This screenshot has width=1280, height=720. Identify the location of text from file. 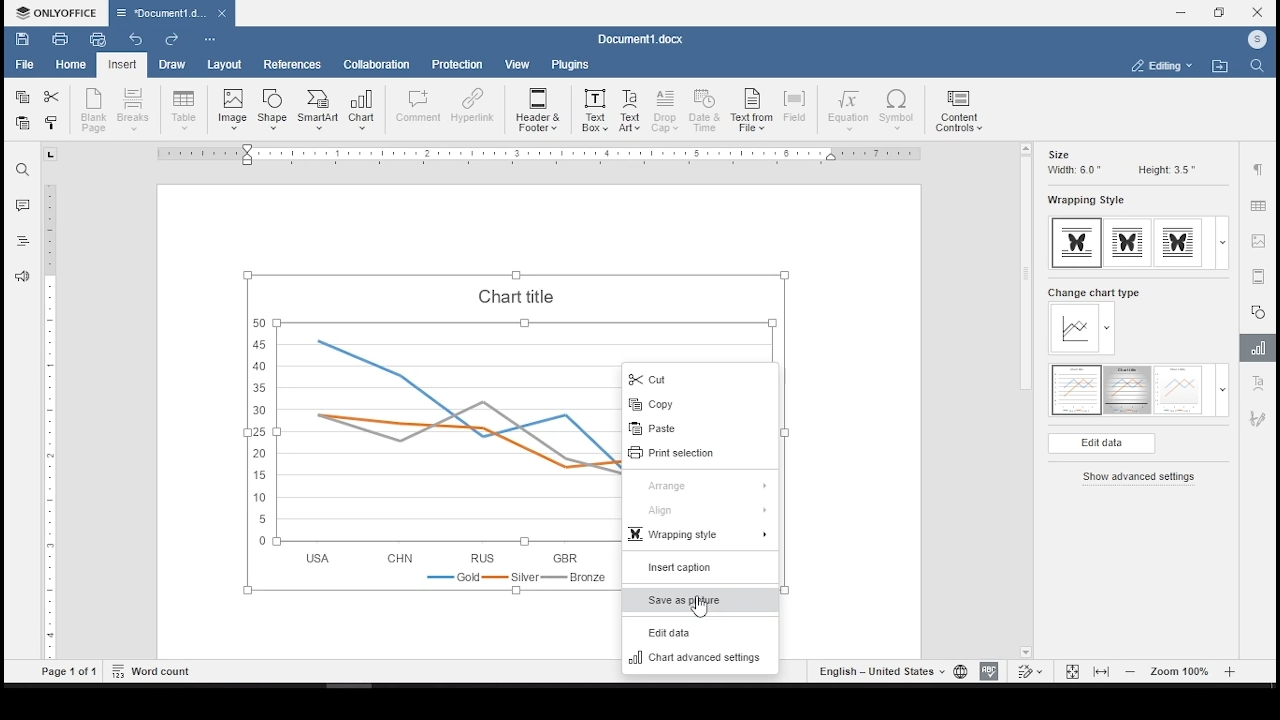
(751, 111).